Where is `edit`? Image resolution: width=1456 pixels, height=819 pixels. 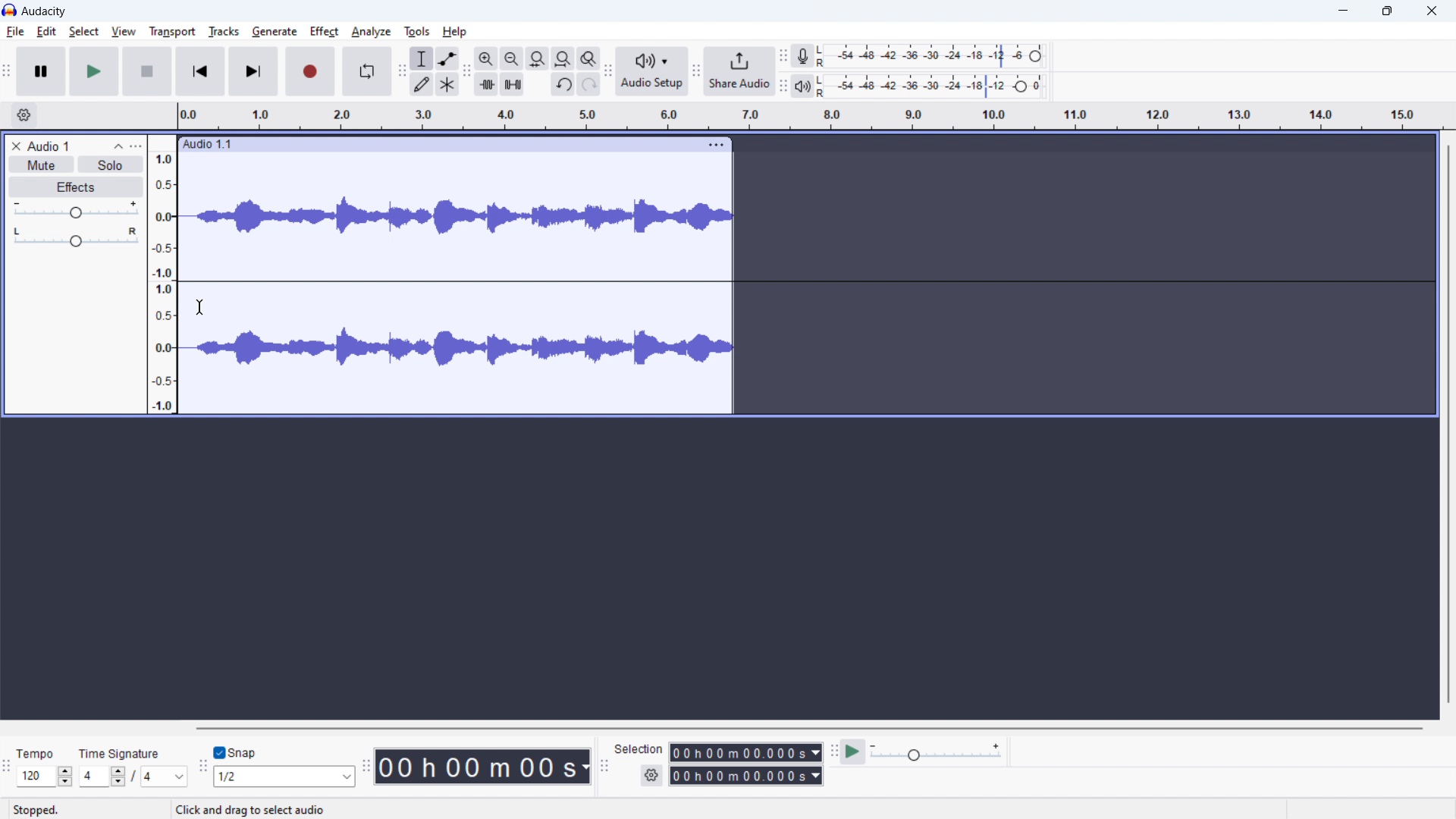
edit is located at coordinates (48, 32).